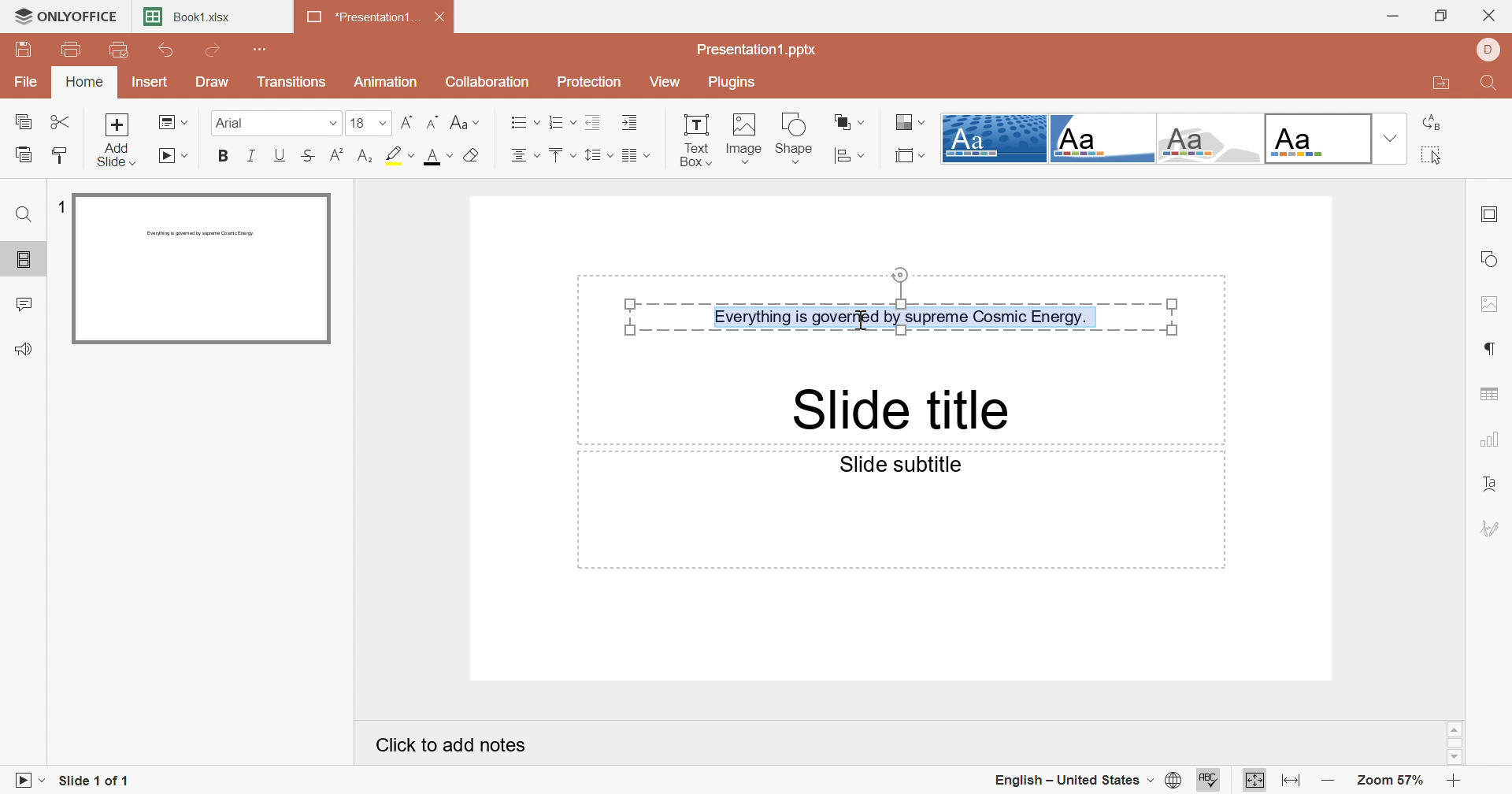  I want to click on Bold, so click(222, 157).